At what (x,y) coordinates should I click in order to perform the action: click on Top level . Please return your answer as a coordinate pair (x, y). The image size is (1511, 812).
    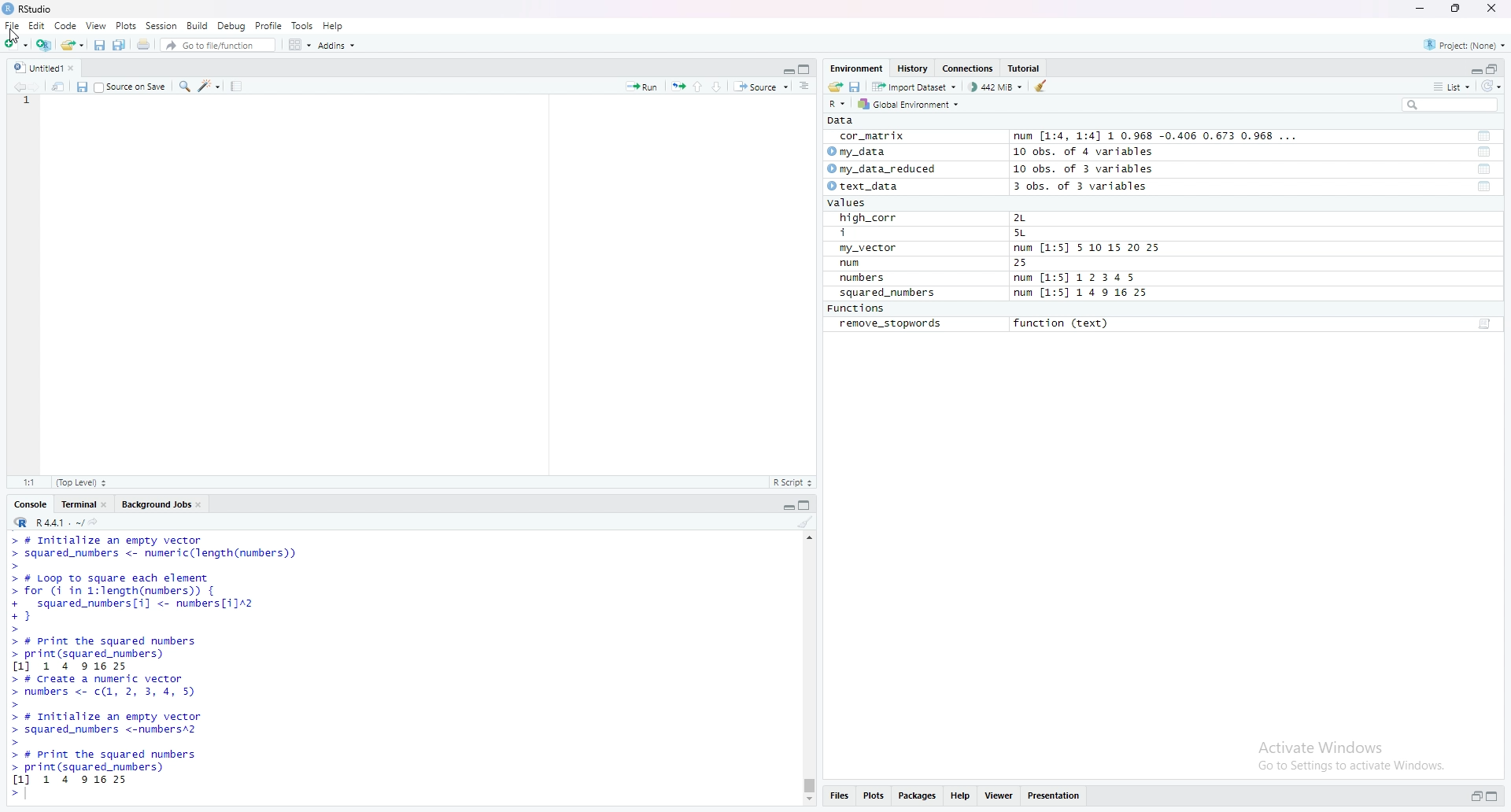
    Looking at the image, I should click on (79, 483).